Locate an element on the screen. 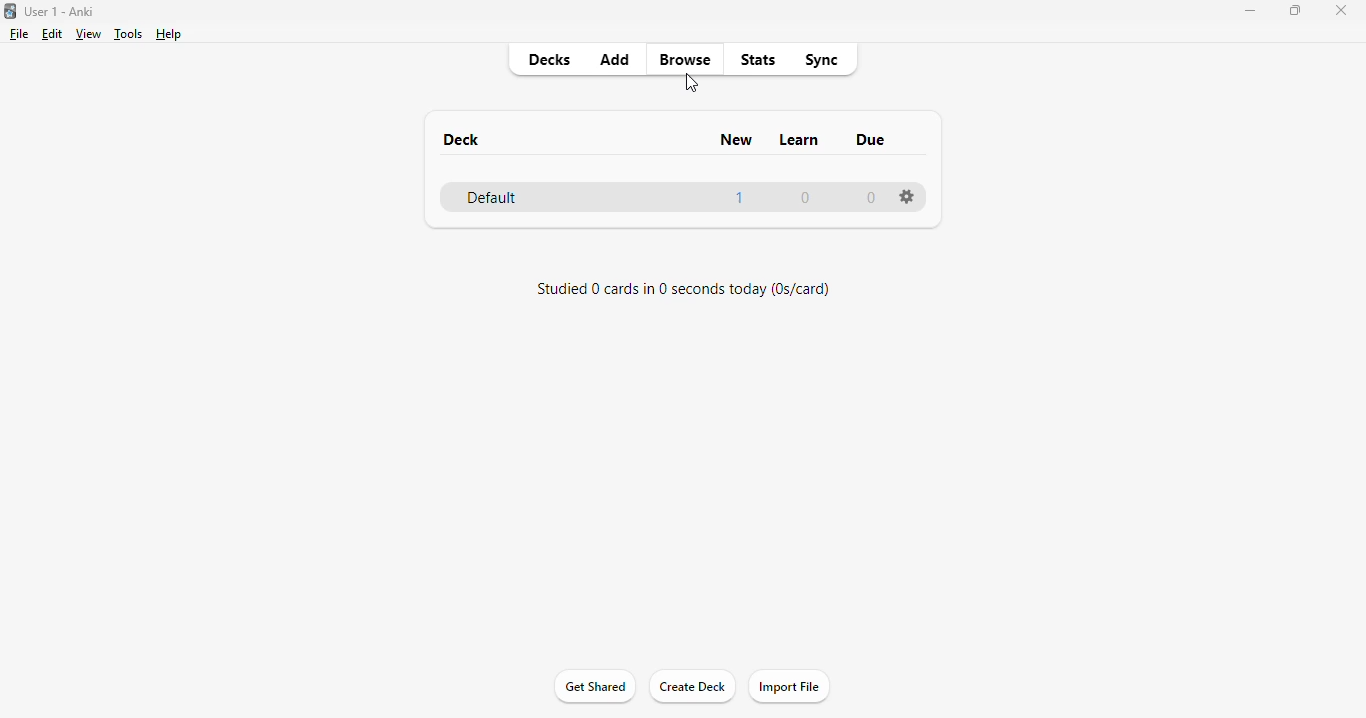  decks is located at coordinates (550, 59).